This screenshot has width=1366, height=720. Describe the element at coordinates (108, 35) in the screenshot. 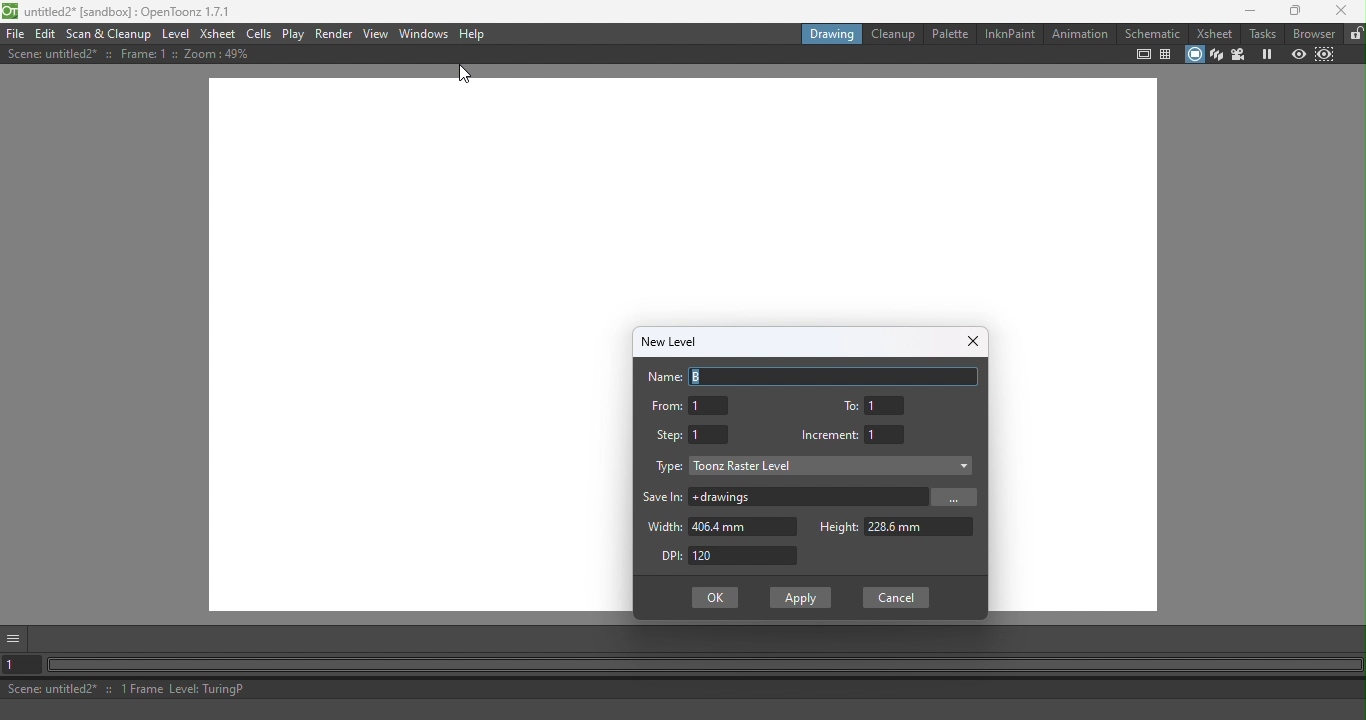

I see `Scan & Cleanup` at that location.